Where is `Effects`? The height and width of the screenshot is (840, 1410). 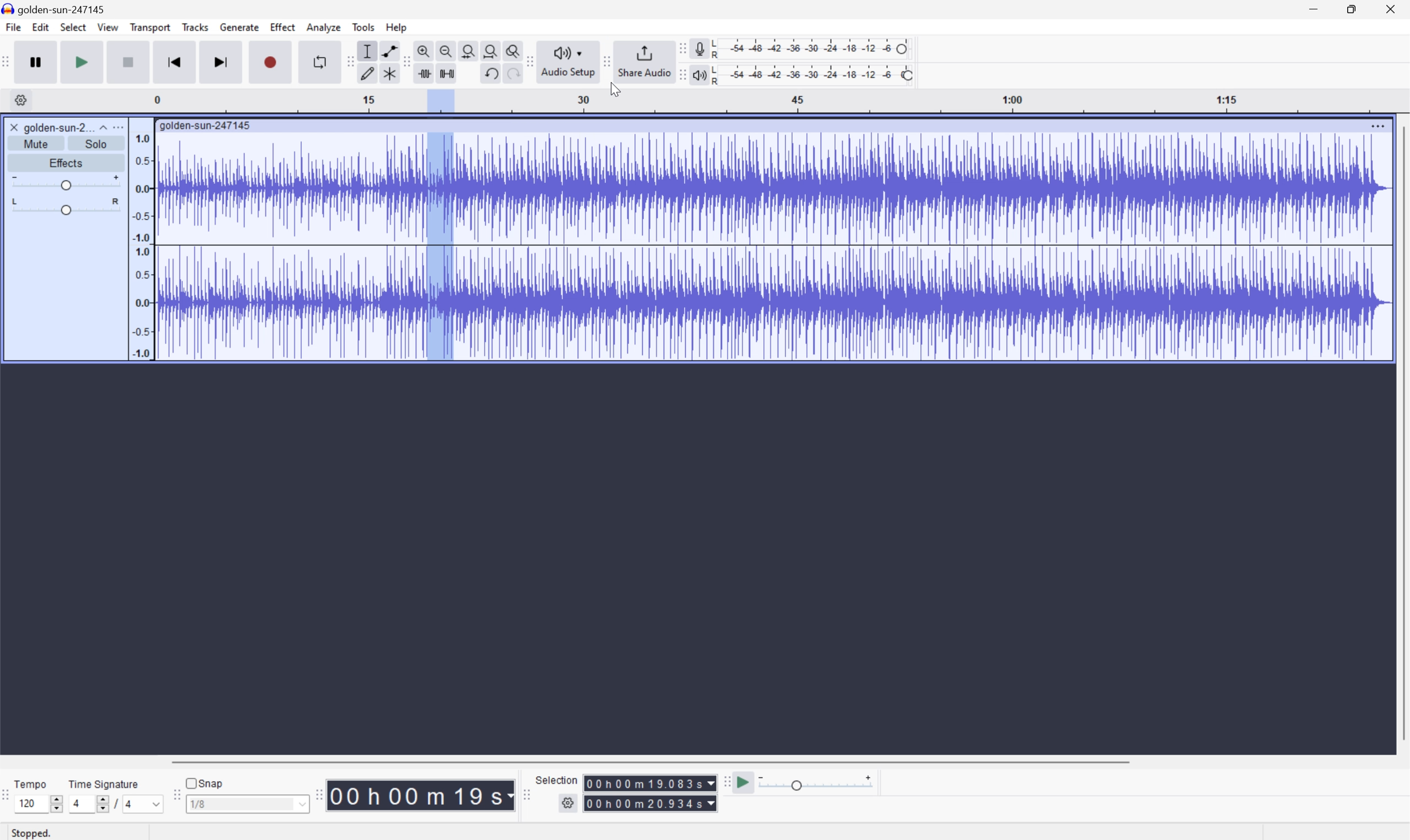
Effects is located at coordinates (66, 162).